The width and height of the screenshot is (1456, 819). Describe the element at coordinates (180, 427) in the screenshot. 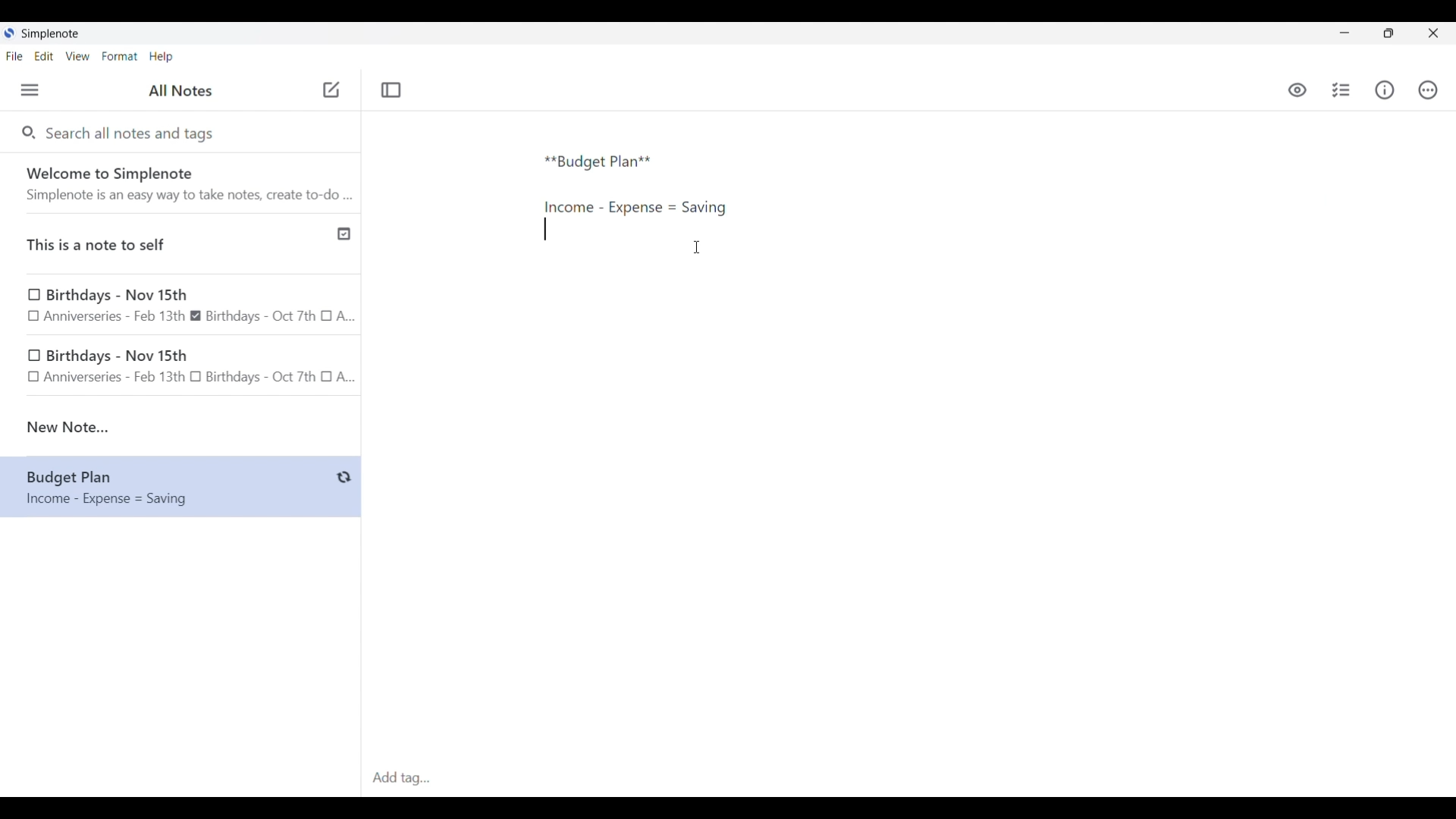

I see `new note` at that location.